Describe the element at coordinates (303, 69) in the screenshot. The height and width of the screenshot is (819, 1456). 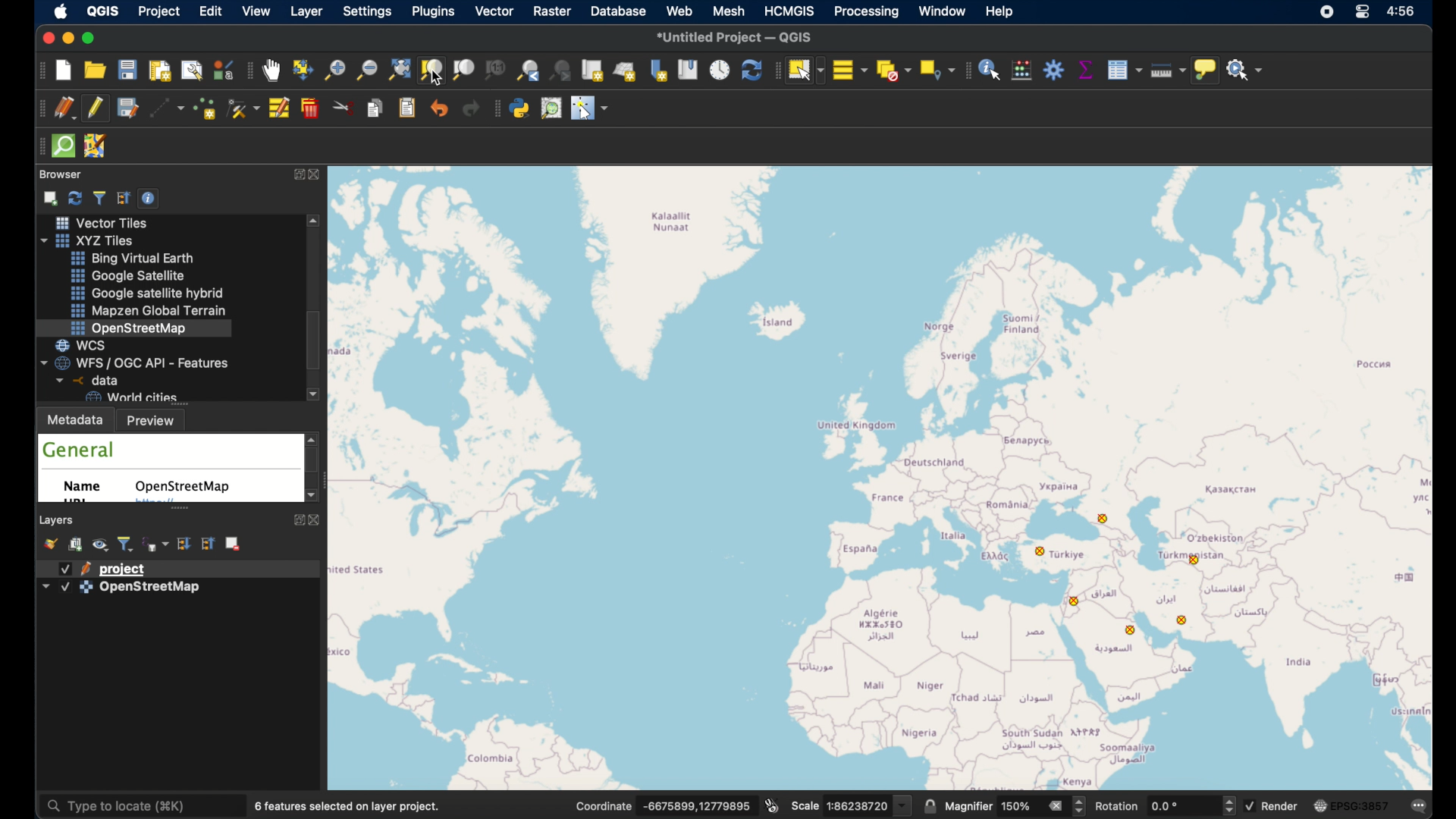
I see `pan map to selection` at that location.